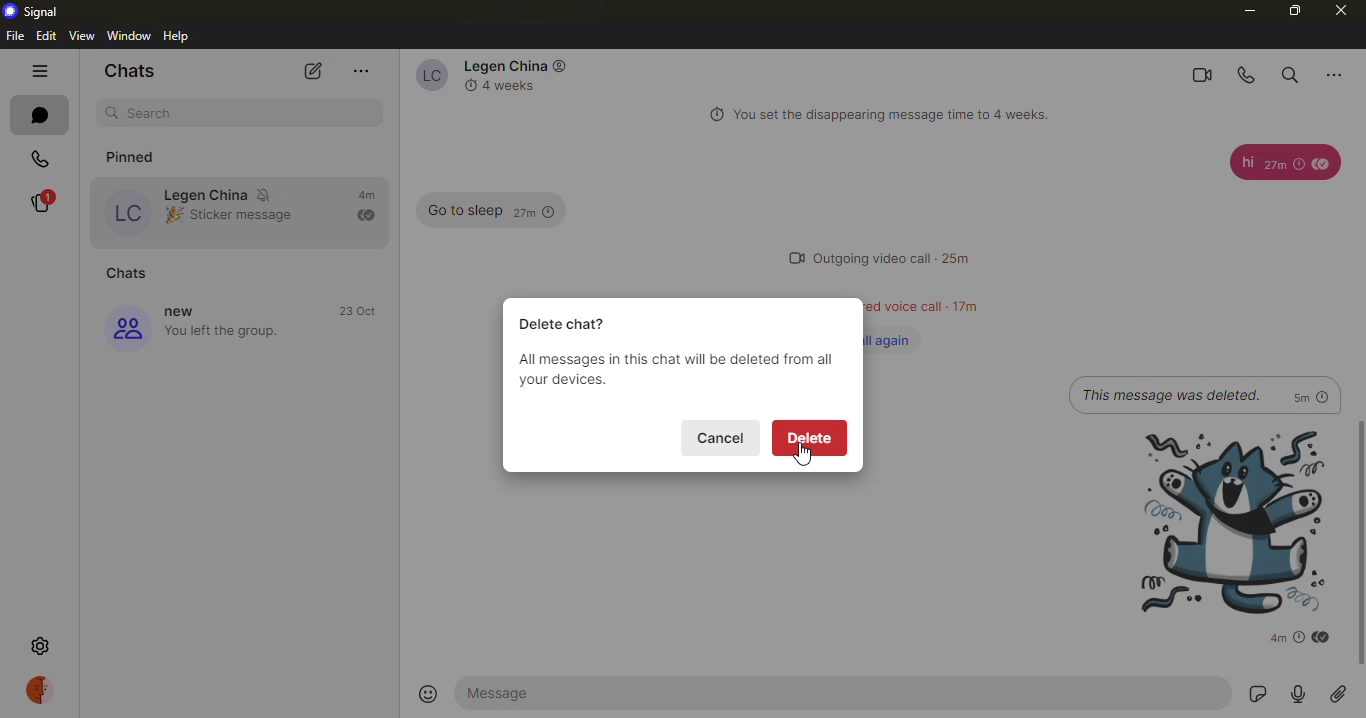  What do you see at coordinates (131, 272) in the screenshot?
I see `chats` at bounding box center [131, 272].